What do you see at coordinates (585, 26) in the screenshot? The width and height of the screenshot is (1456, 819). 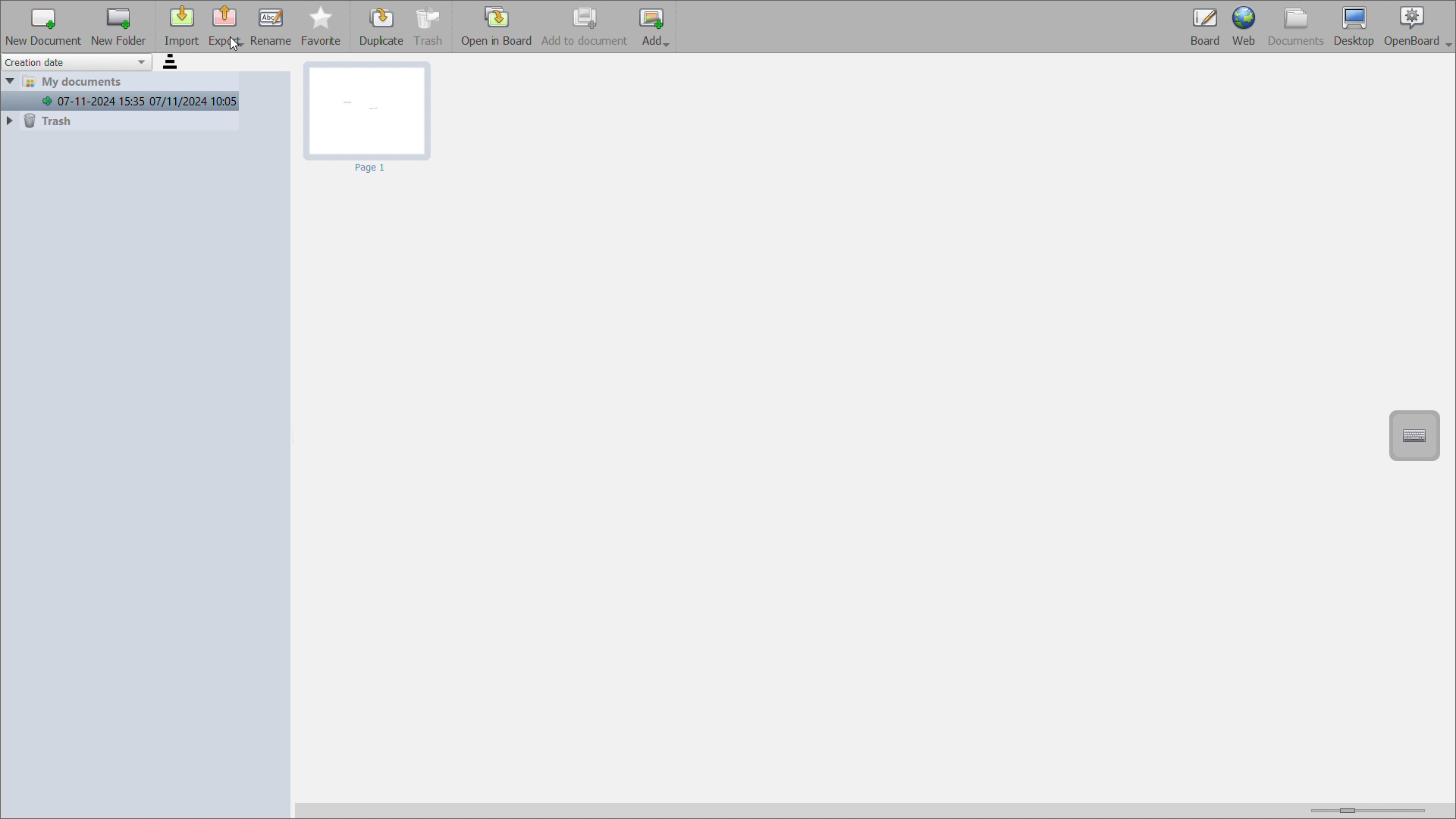 I see `add to document` at bounding box center [585, 26].